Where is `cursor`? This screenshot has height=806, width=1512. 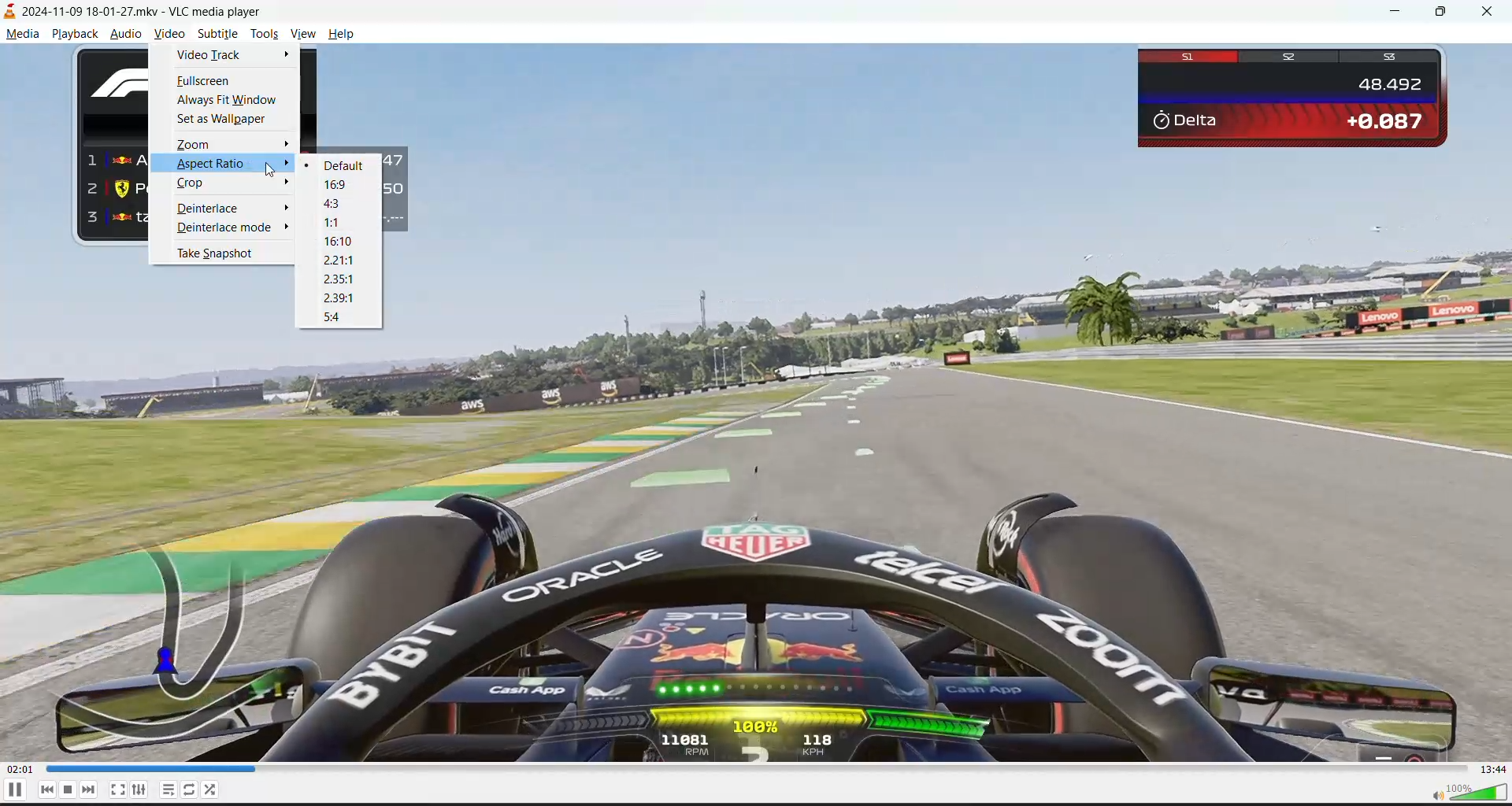 cursor is located at coordinates (269, 171).